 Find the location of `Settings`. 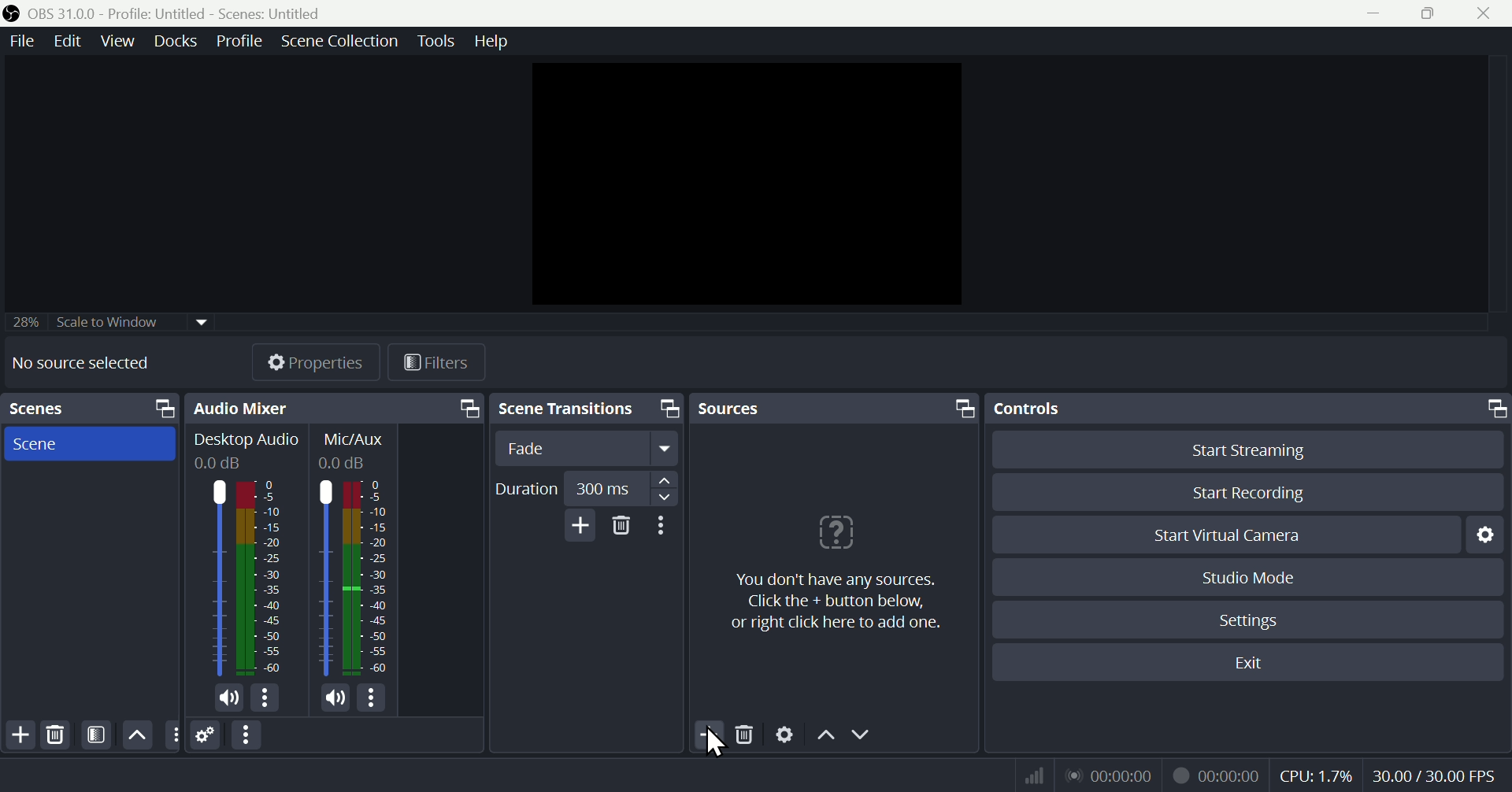

Settings is located at coordinates (206, 736).